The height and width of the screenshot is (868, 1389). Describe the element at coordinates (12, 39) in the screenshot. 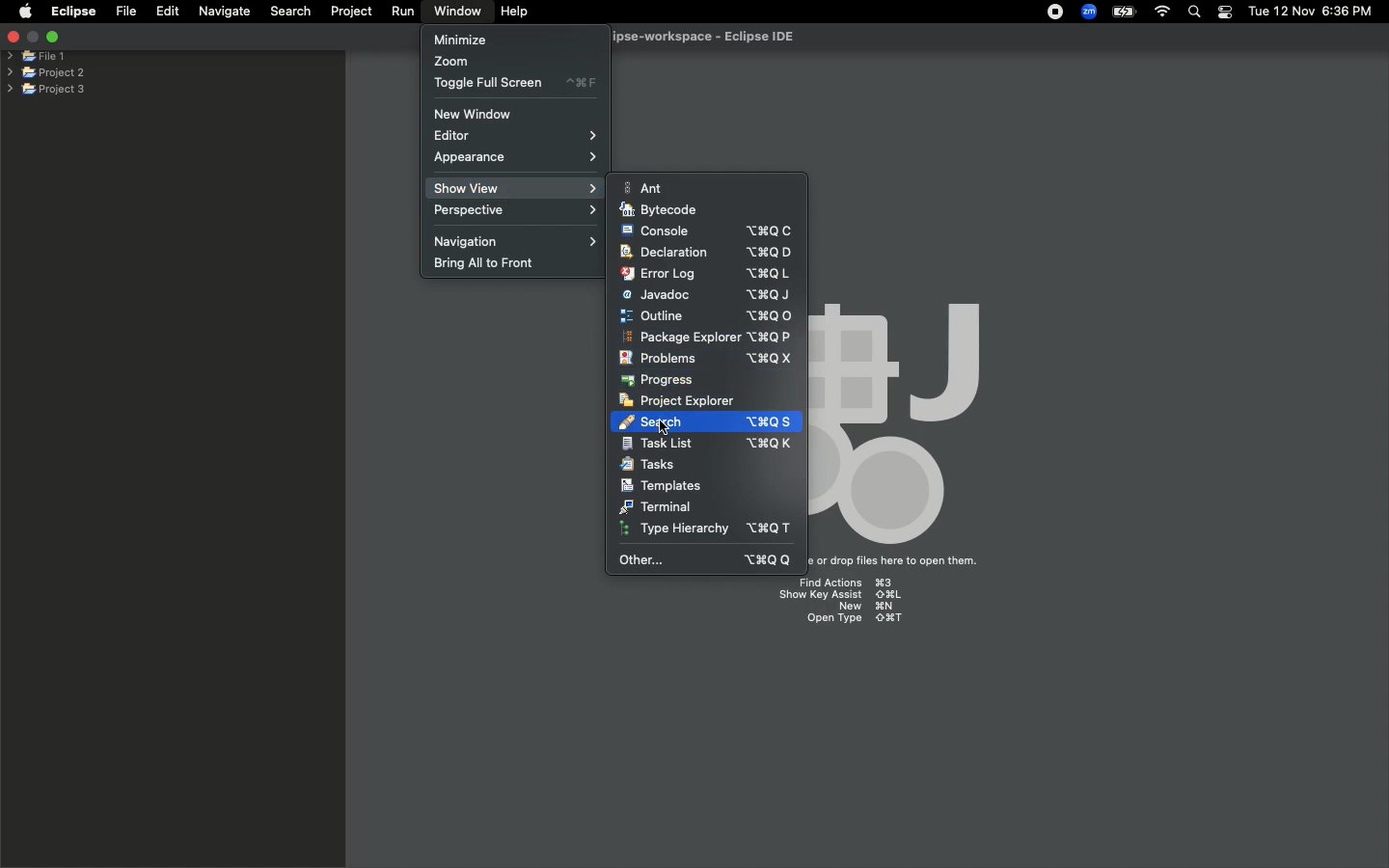

I see `Close` at that location.